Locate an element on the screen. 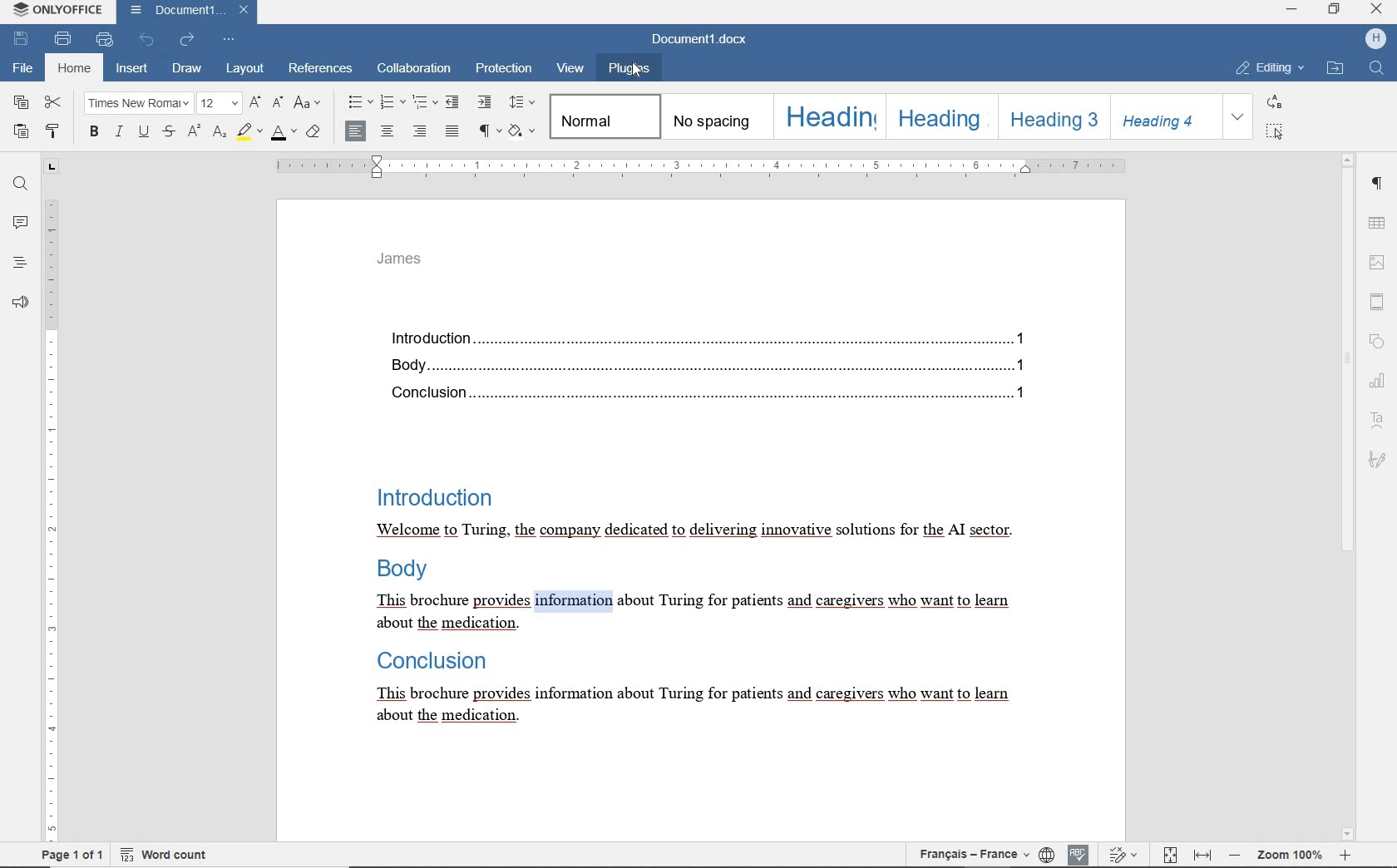 The width and height of the screenshot is (1397, 868). BOLD is located at coordinates (95, 133).